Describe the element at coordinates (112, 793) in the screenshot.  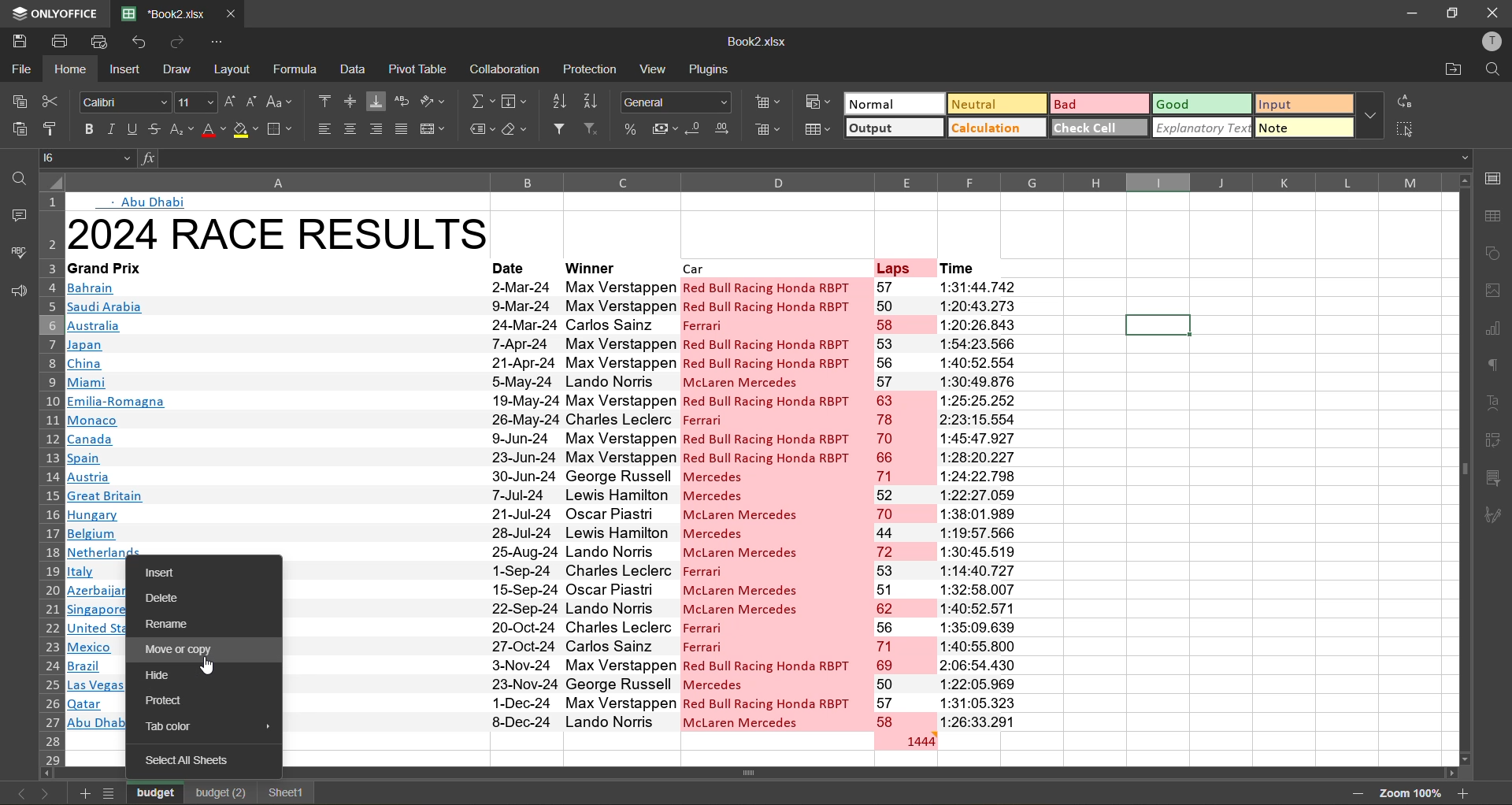
I see `sheet list` at that location.